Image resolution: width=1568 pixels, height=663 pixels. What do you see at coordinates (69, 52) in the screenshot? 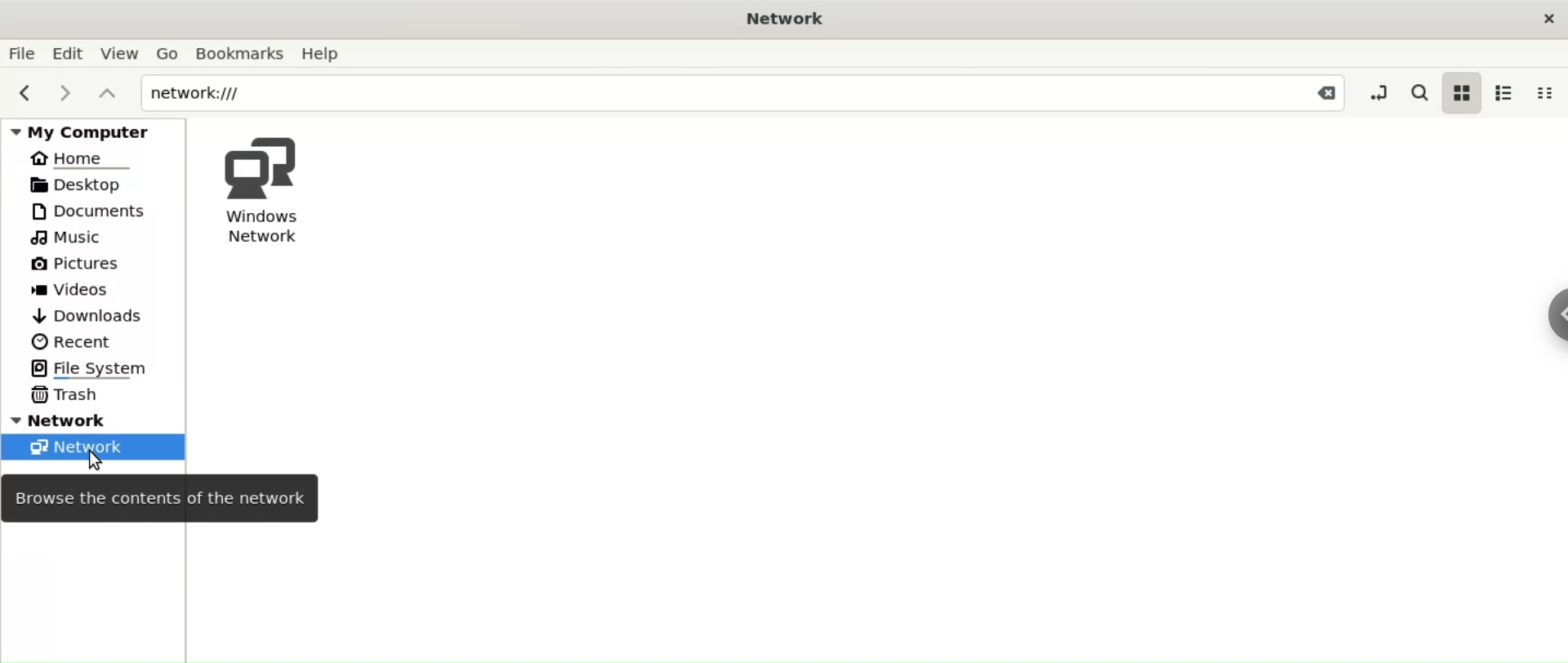
I see `Edit` at bounding box center [69, 52].